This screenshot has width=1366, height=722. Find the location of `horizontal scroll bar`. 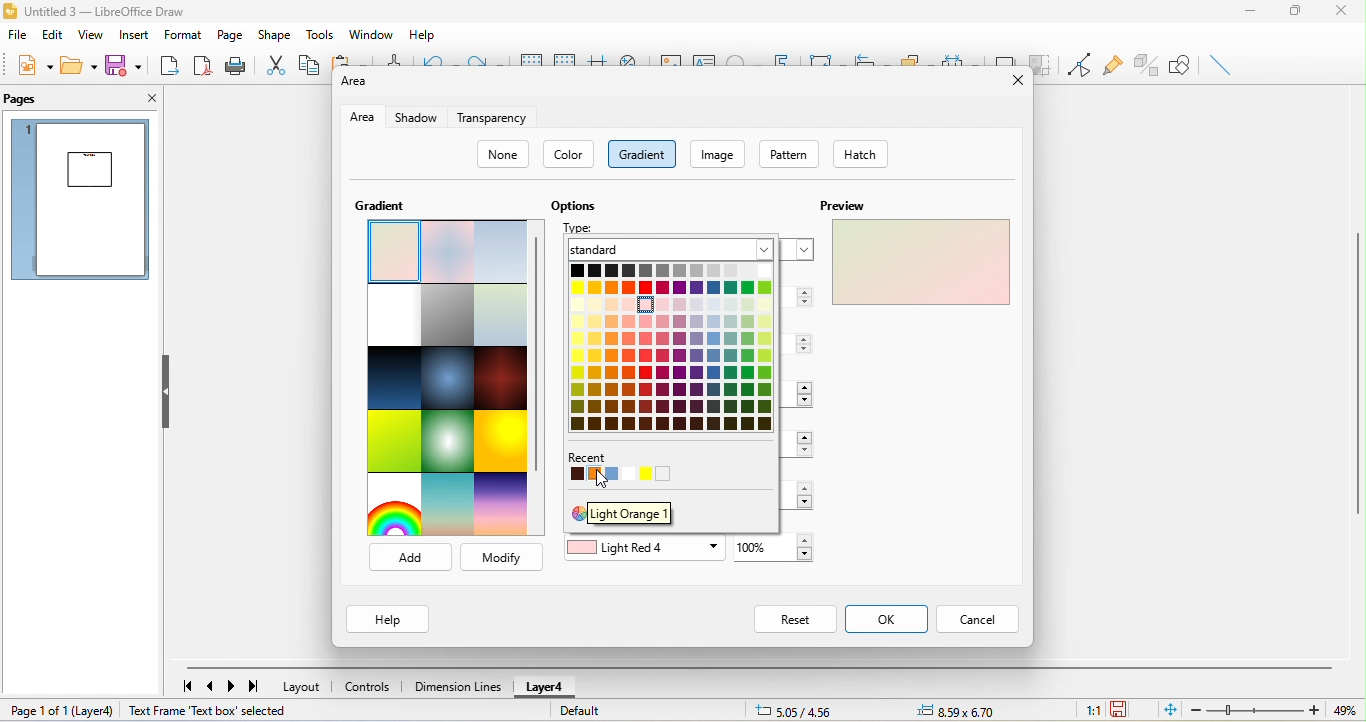

horizontal scroll bar is located at coordinates (759, 668).